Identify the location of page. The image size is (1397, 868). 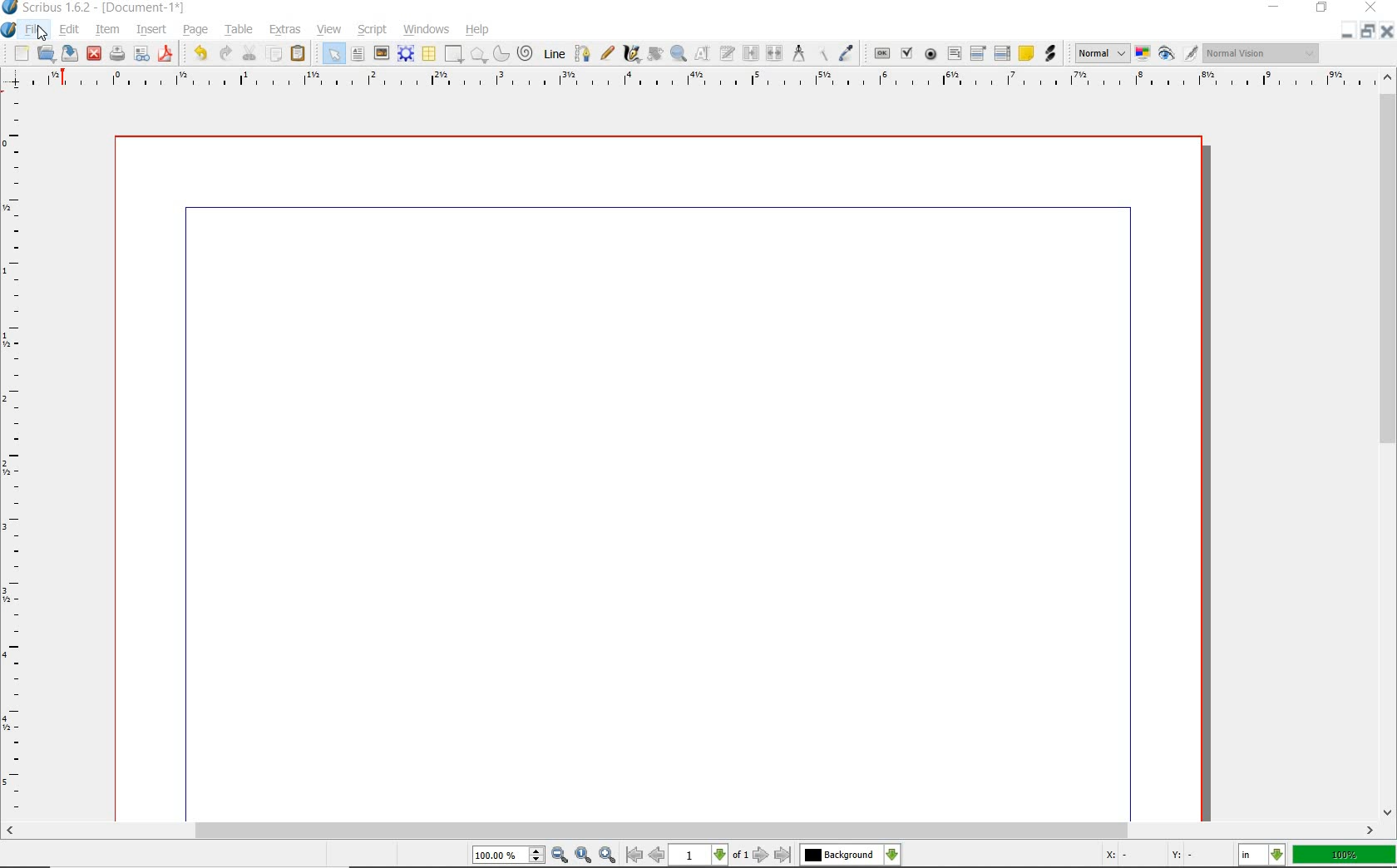
(197, 31).